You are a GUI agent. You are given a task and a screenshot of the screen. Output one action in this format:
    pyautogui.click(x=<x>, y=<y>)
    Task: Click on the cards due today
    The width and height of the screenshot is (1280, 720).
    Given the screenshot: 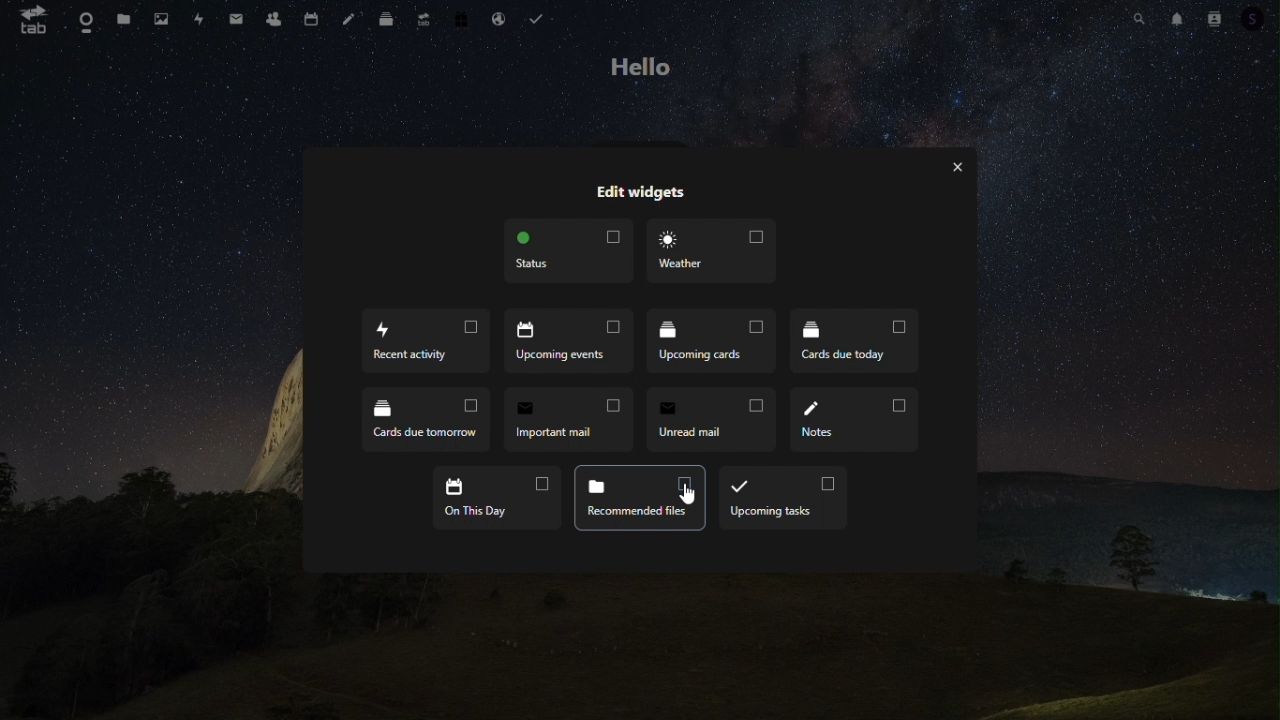 What is the action you would take?
    pyautogui.click(x=853, y=342)
    